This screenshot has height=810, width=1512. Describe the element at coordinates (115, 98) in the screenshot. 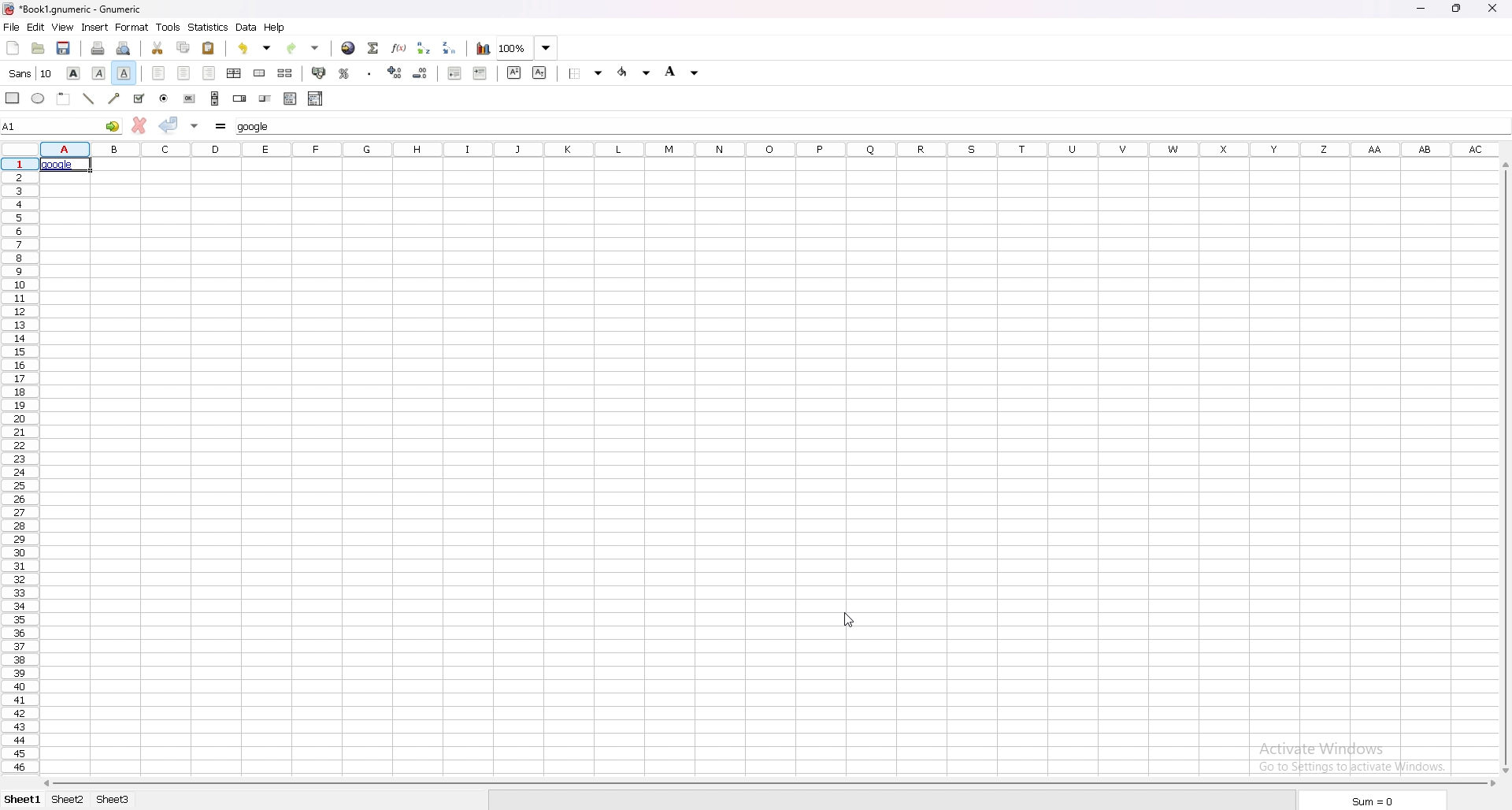

I see `arrowed line` at that location.